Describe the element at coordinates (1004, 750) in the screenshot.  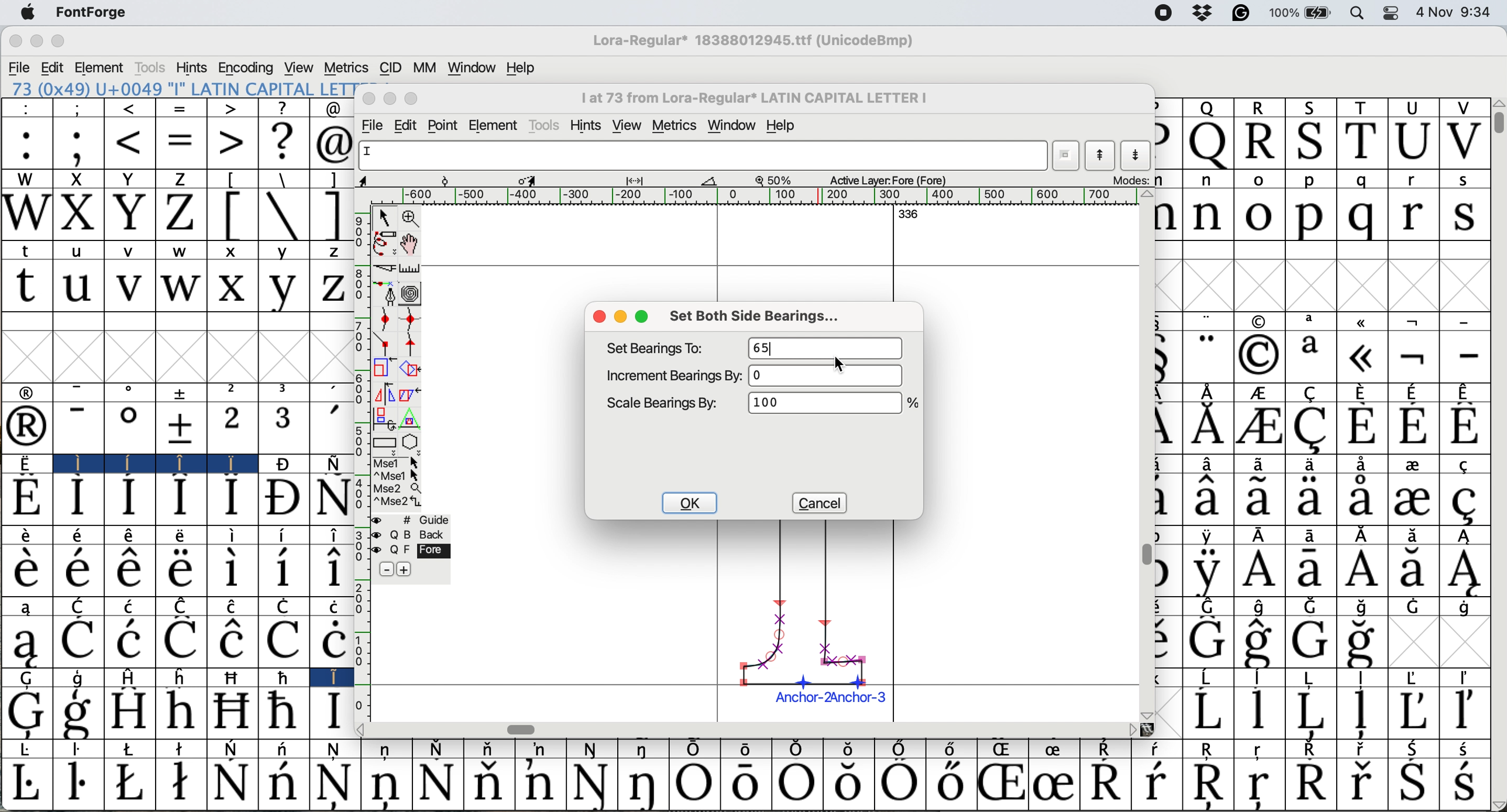
I see `Symbol` at that location.